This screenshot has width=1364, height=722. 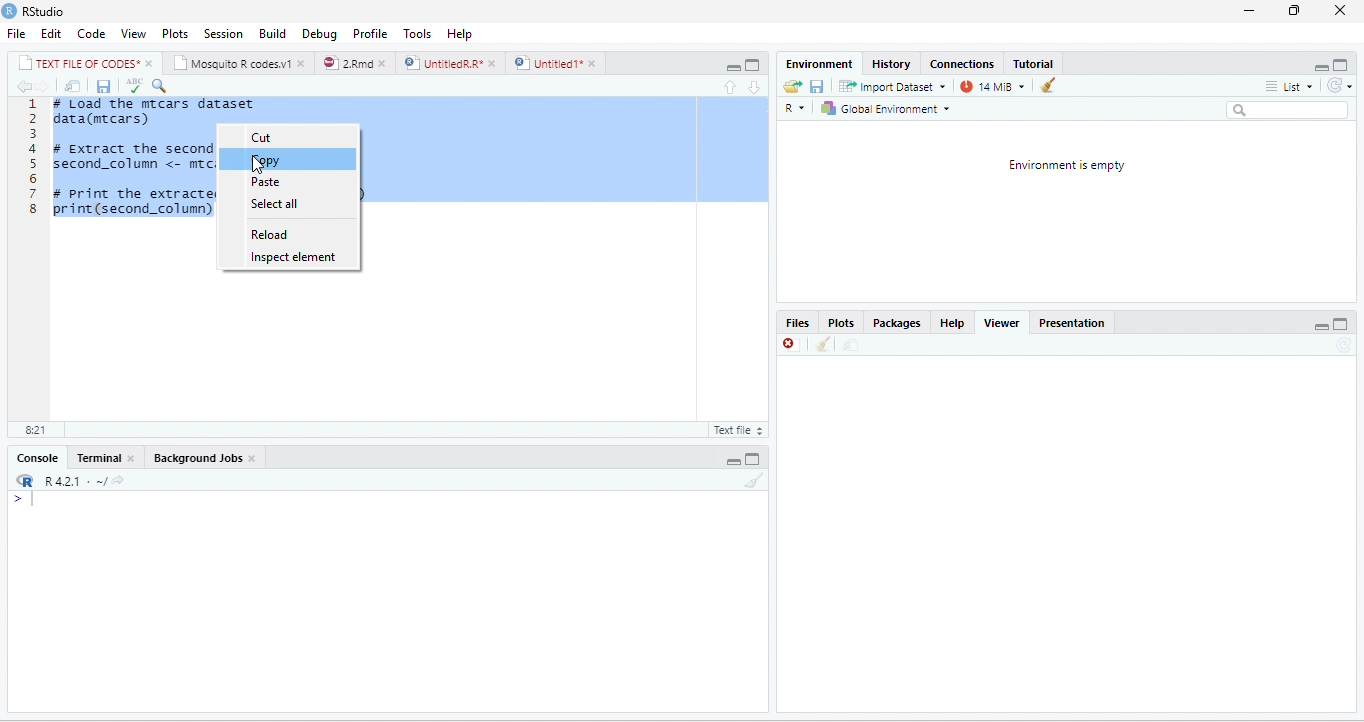 I want to click on 3, so click(x=33, y=134).